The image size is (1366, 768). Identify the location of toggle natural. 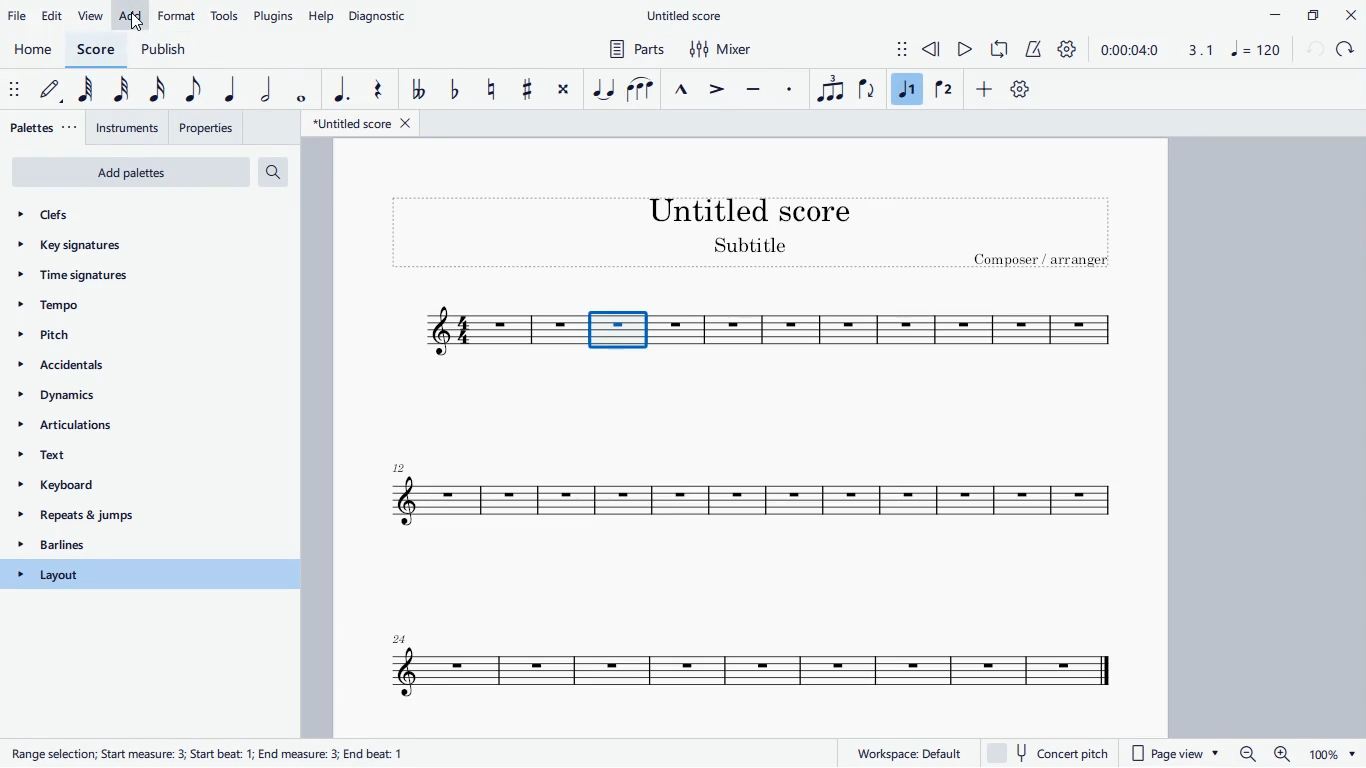
(492, 88).